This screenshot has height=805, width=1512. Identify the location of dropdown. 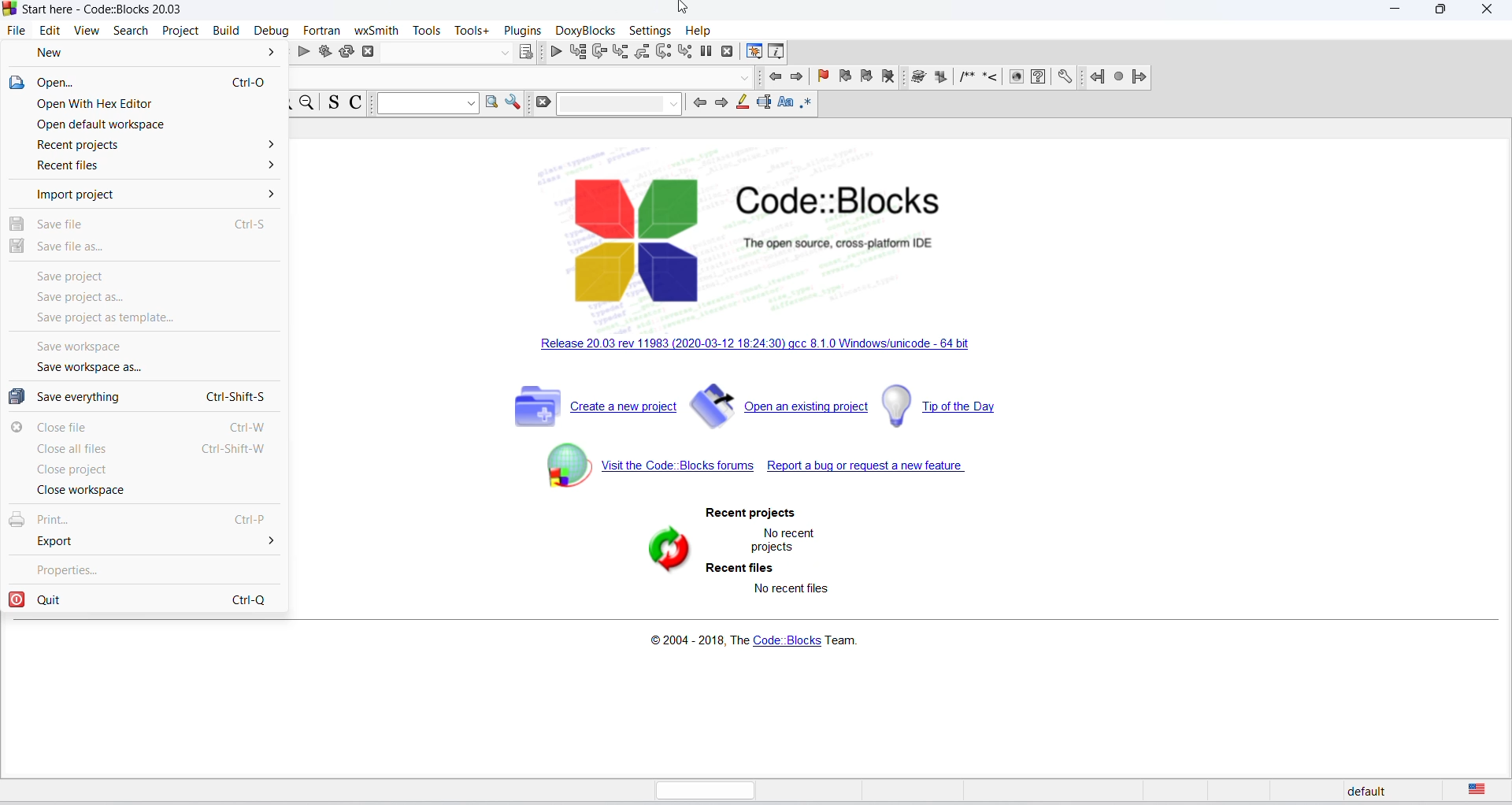
(746, 78).